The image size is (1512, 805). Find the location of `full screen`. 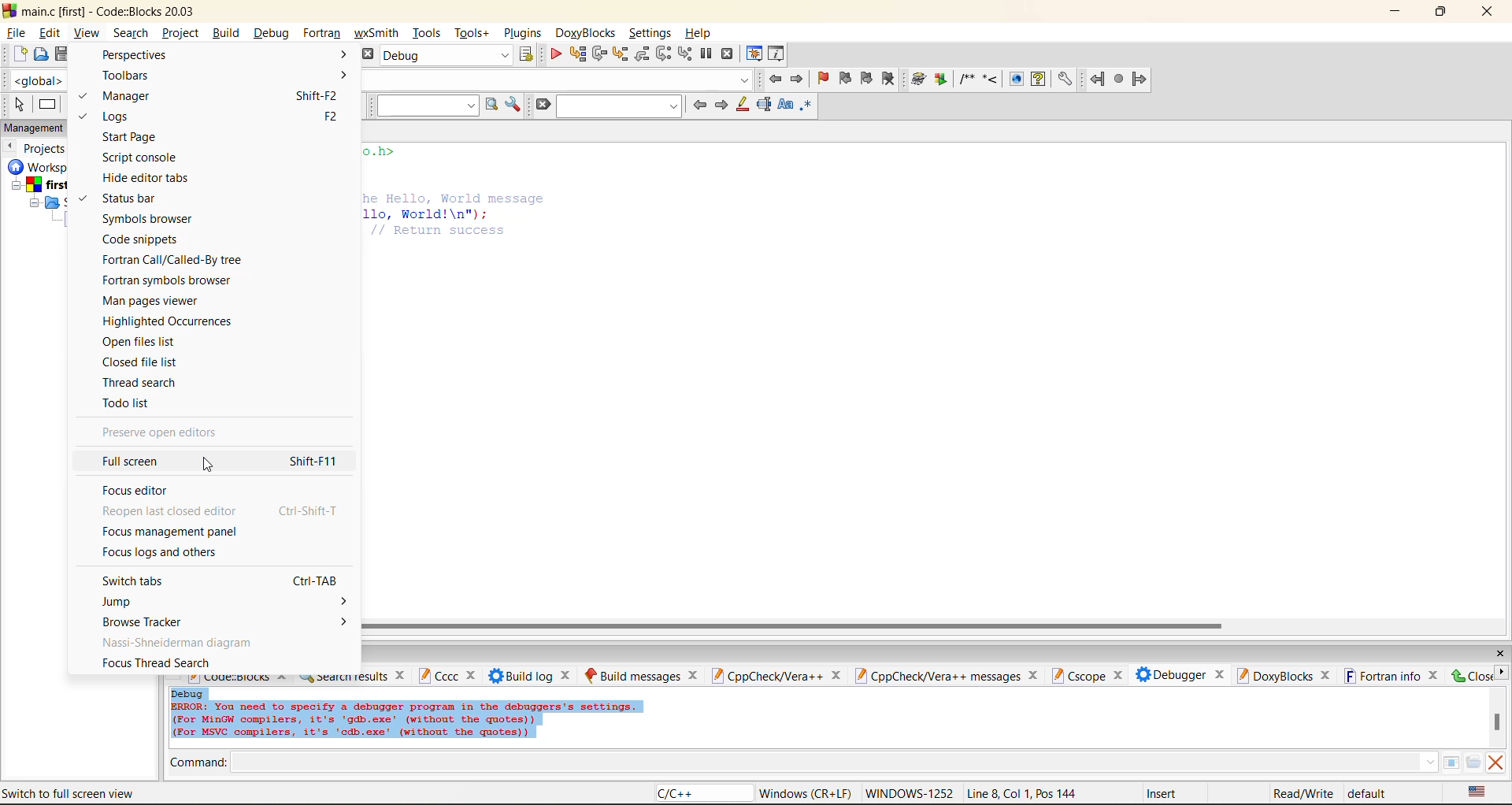

full screen is located at coordinates (218, 462).